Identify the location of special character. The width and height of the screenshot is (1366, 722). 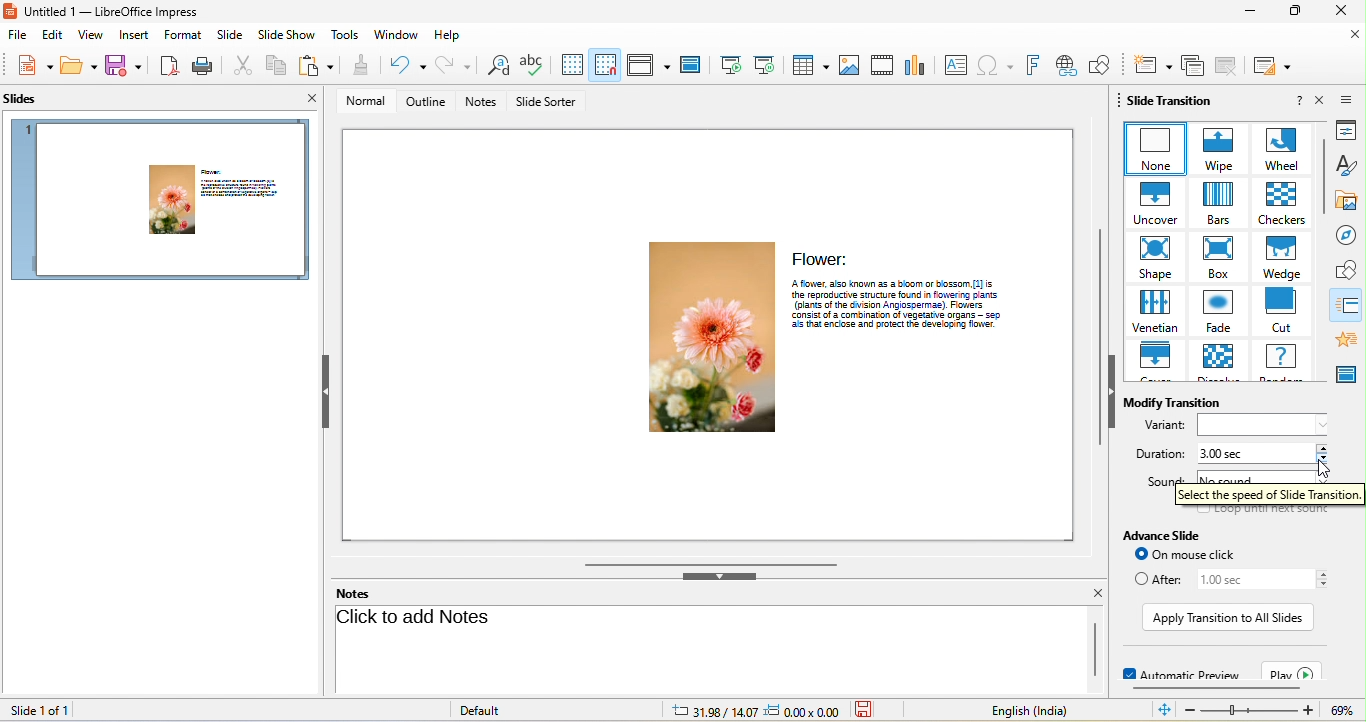
(997, 63).